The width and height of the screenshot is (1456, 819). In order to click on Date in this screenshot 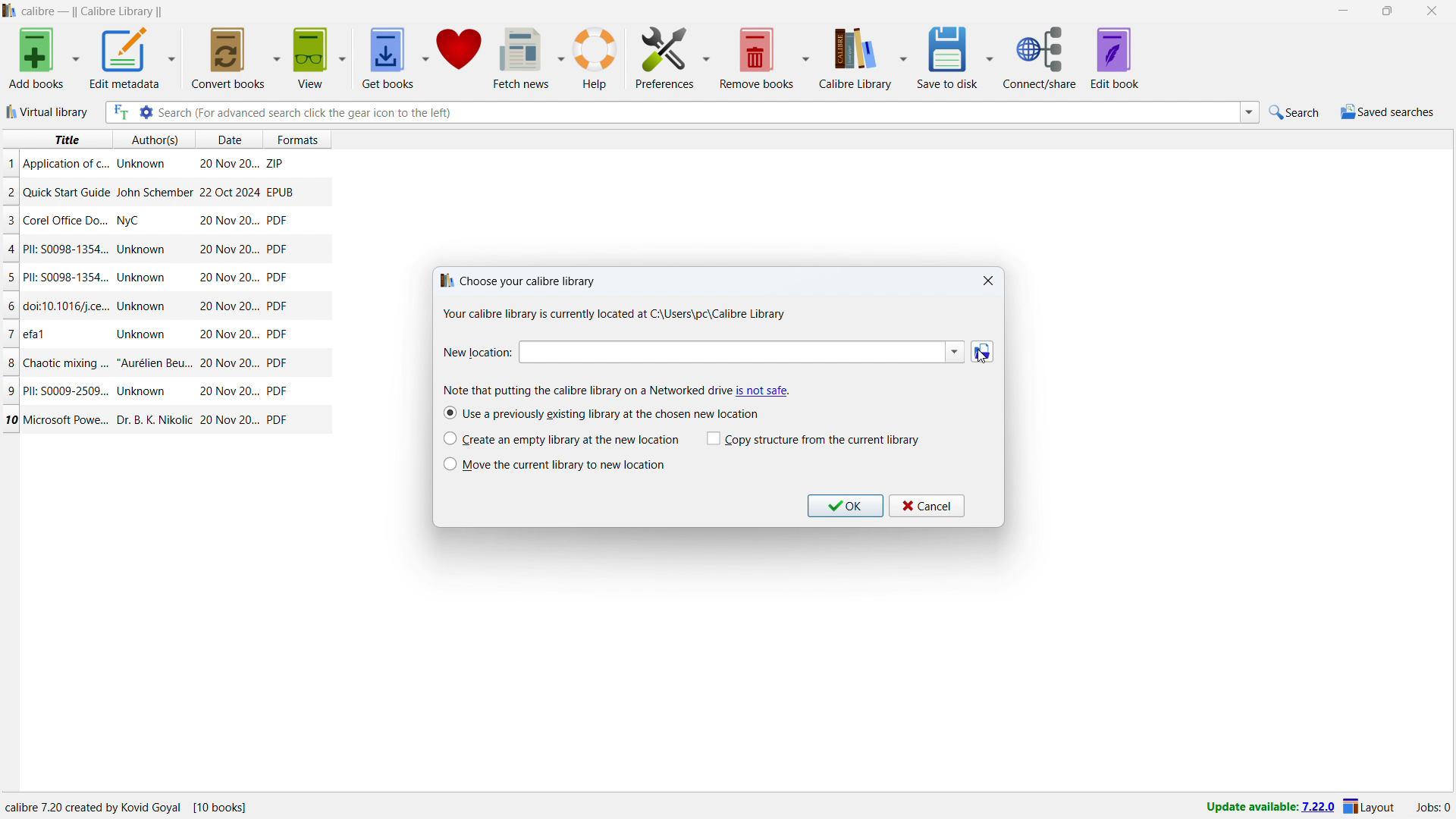, I will do `click(231, 363)`.